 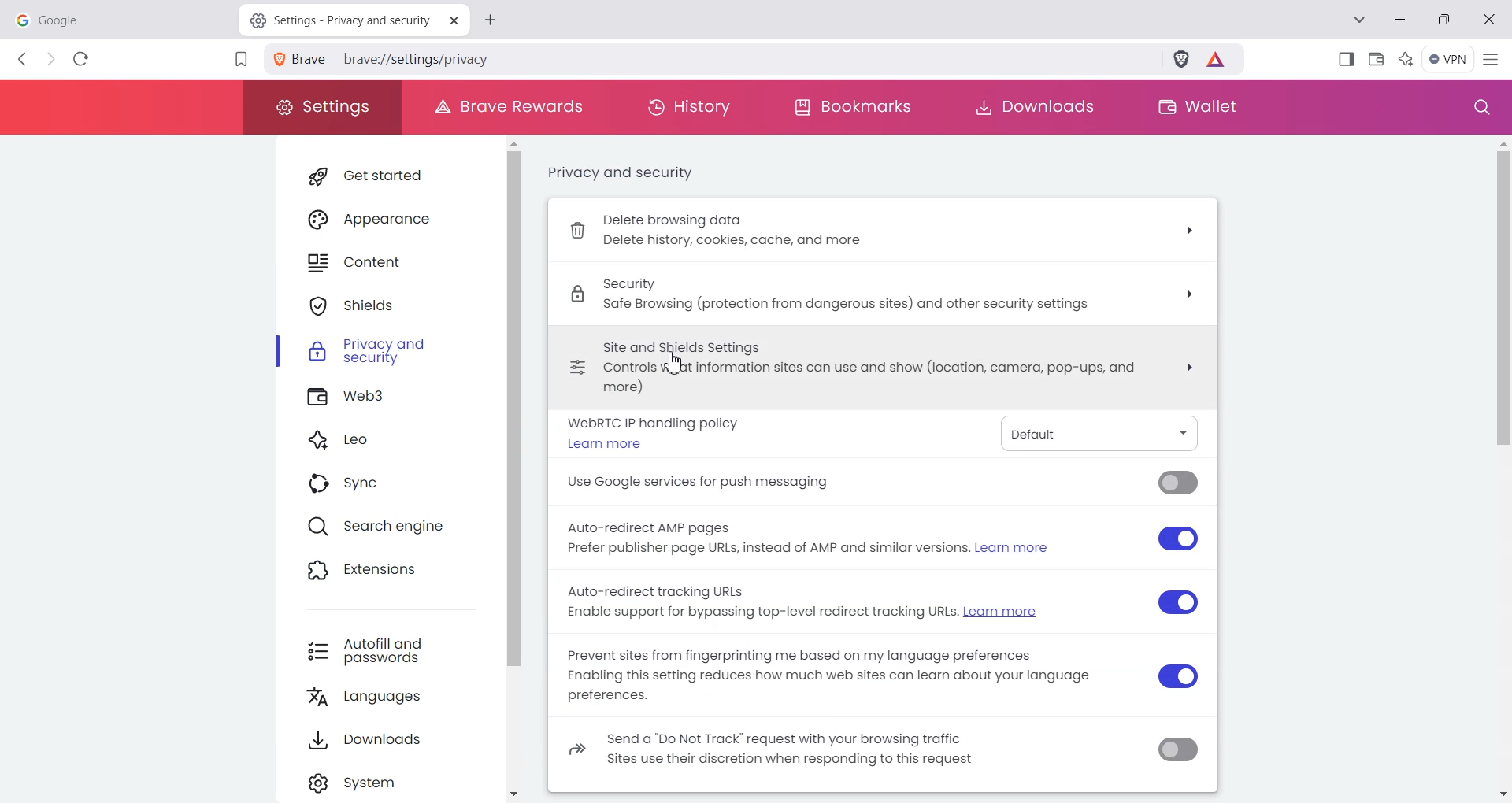 What do you see at coordinates (1217, 61) in the screenshot?
I see `Brave Reward` at bounding box center [1217, 61].